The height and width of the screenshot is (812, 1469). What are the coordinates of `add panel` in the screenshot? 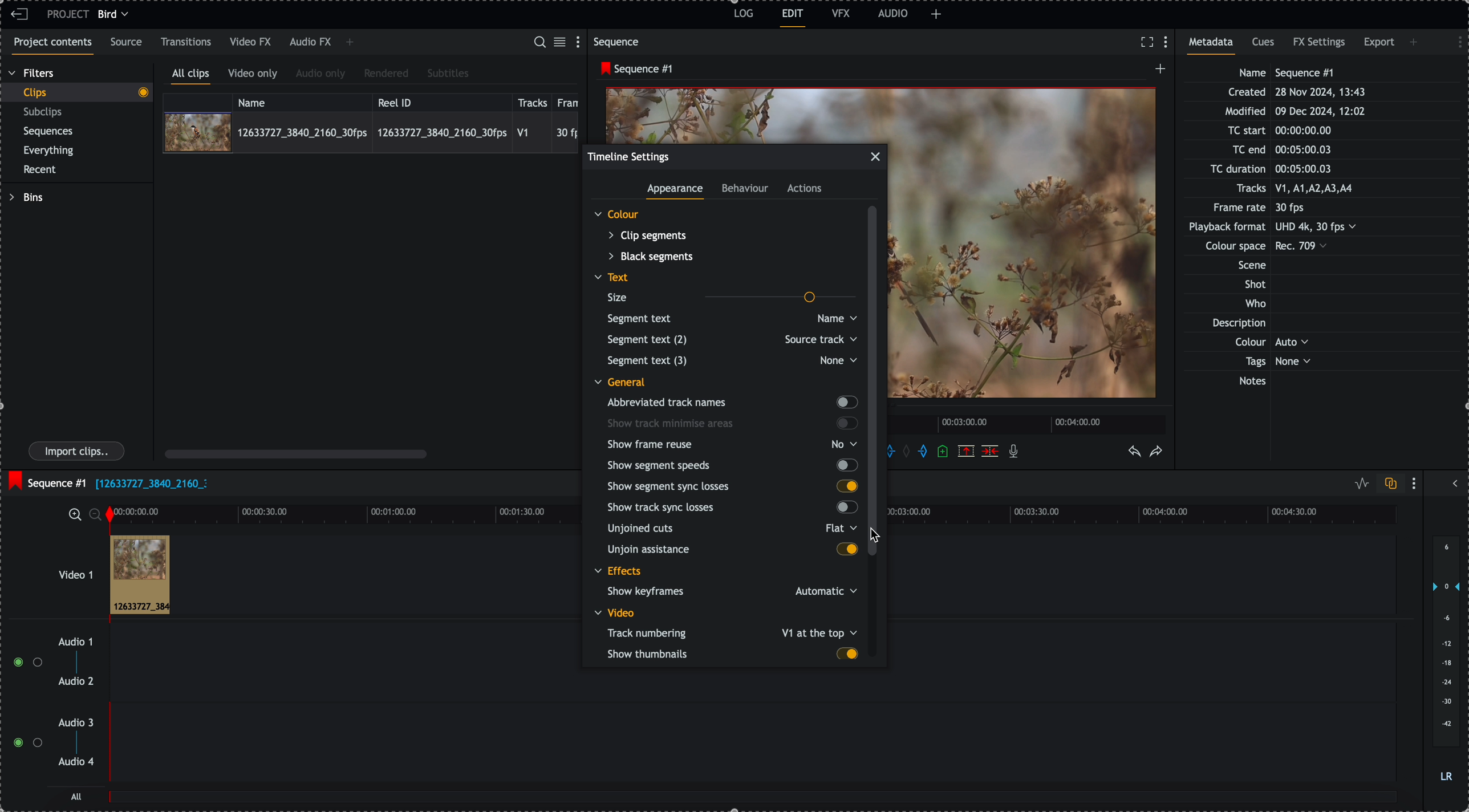 It's located at (350, 43).